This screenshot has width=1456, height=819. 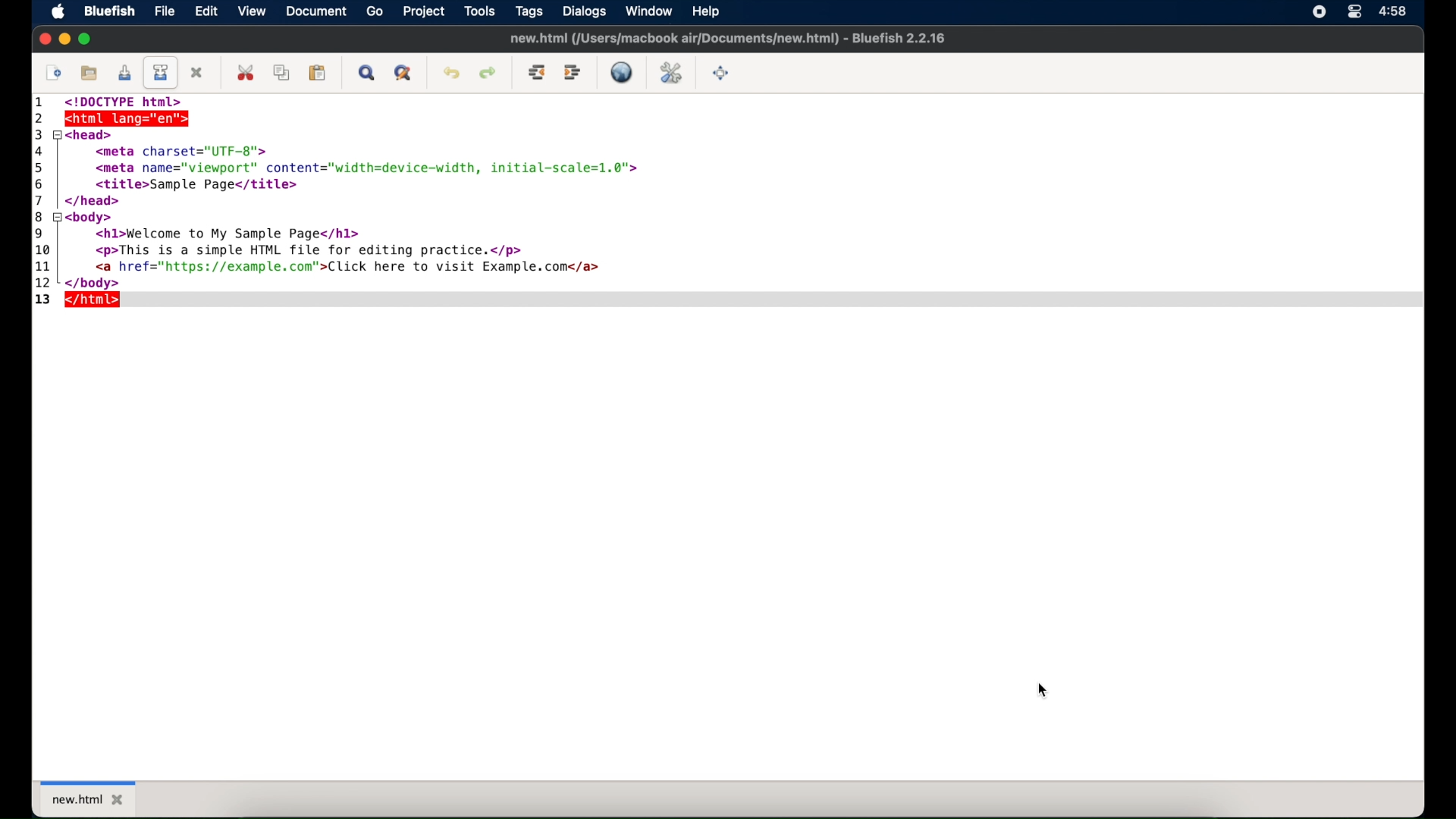 What do you see at coordinates (124, 73) in the screenshot?
I see `save current file` at bounding box center [124, 73].